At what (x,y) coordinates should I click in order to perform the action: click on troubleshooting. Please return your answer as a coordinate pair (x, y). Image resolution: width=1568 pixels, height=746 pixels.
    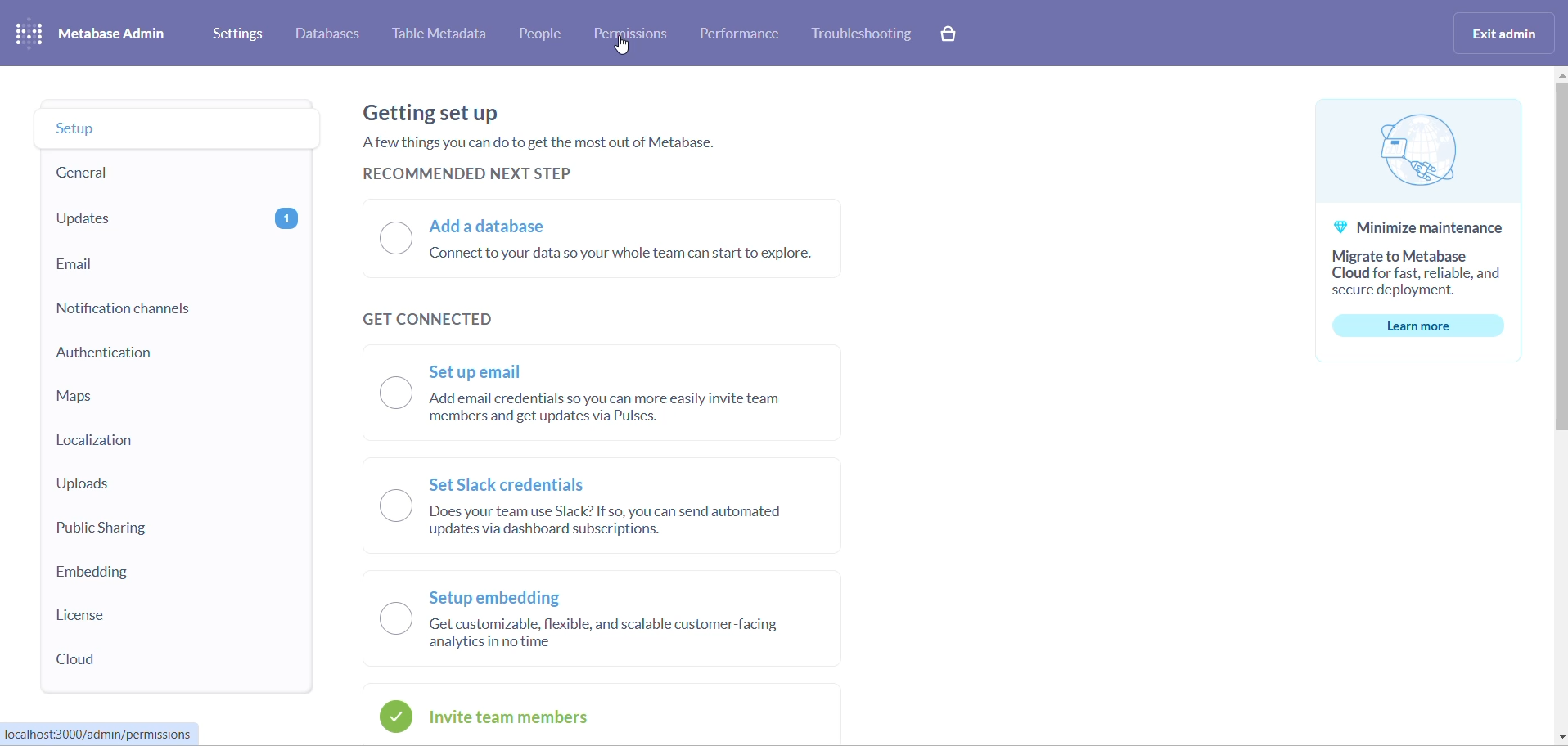
    Looking at the image, I should click on (863, 34).